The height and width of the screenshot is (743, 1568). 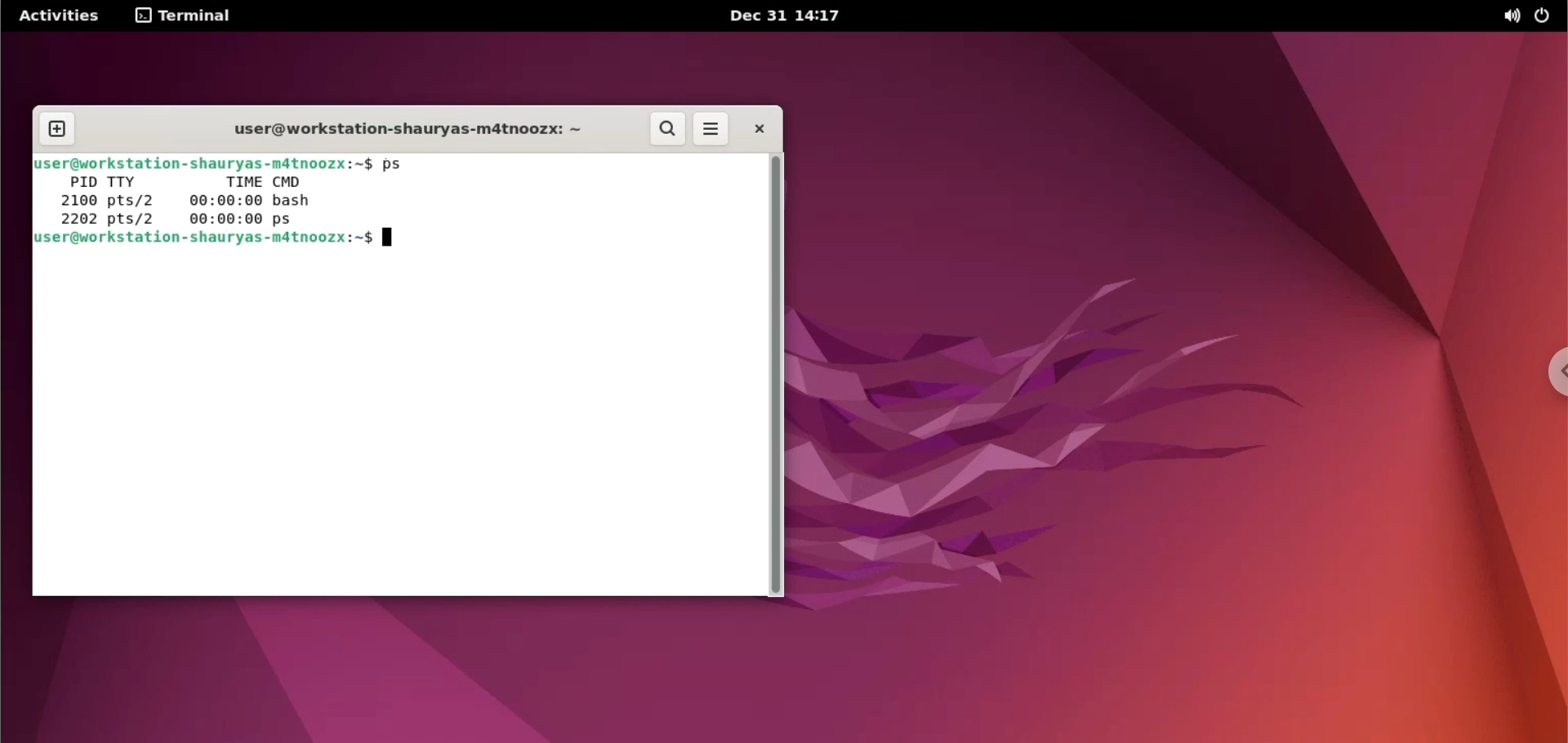 What do you see at coordinates (60, 16) in the screenshot?
I see `Activities` at bounding box center [60, 16].